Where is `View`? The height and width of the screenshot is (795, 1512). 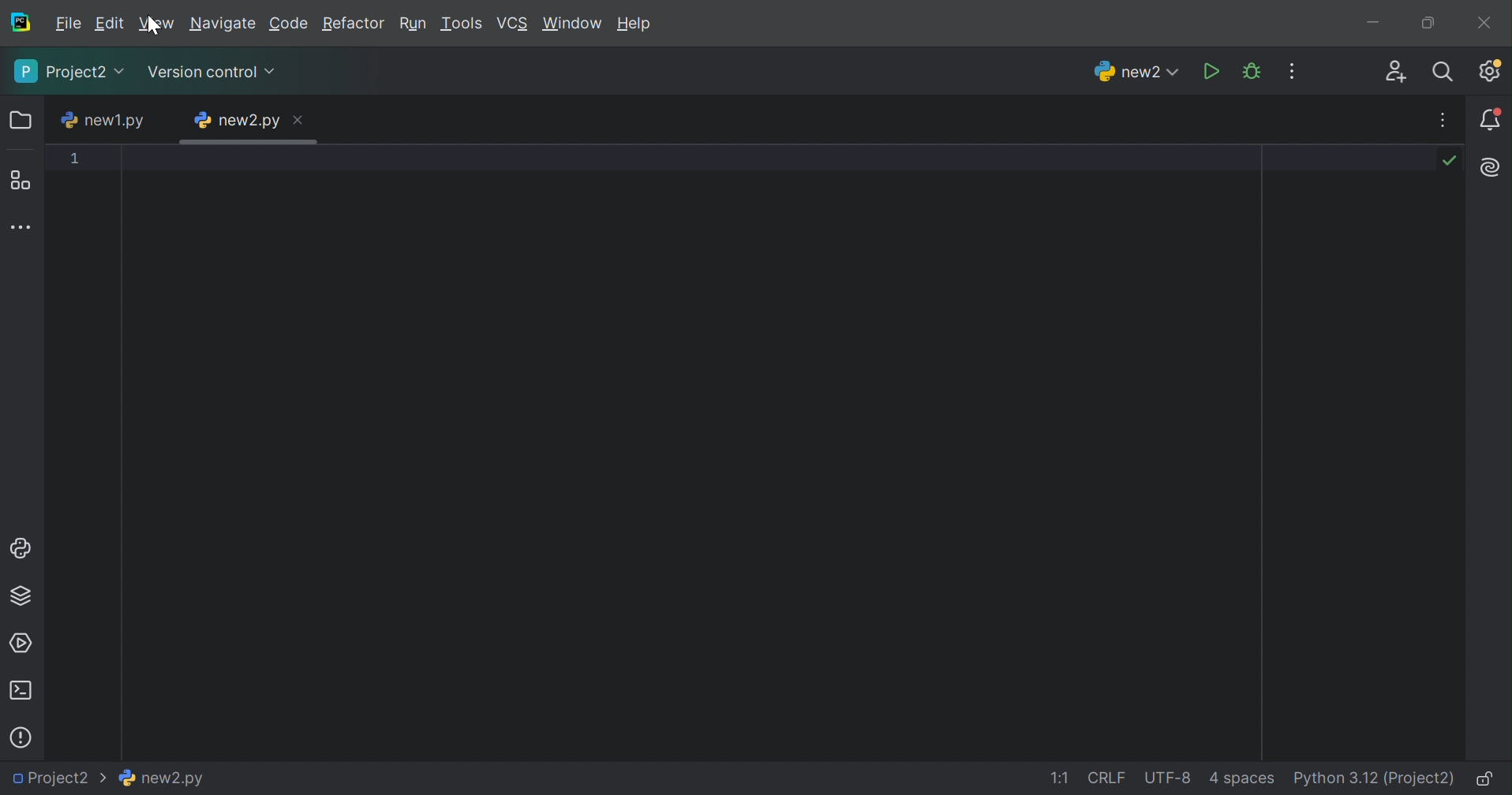
View is located at coordinates (155, 24).